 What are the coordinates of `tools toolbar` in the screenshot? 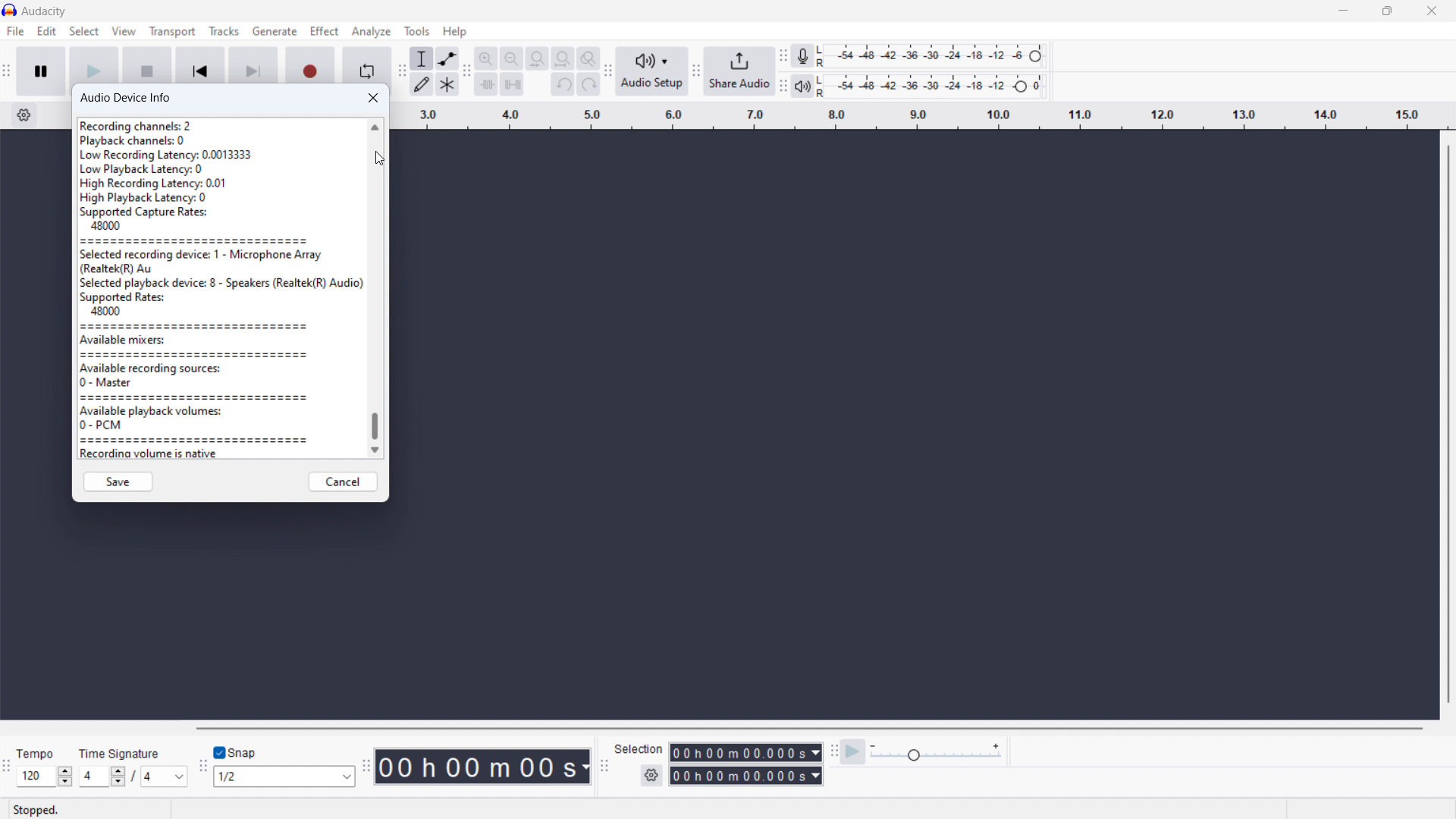 It's located at (403, 71).